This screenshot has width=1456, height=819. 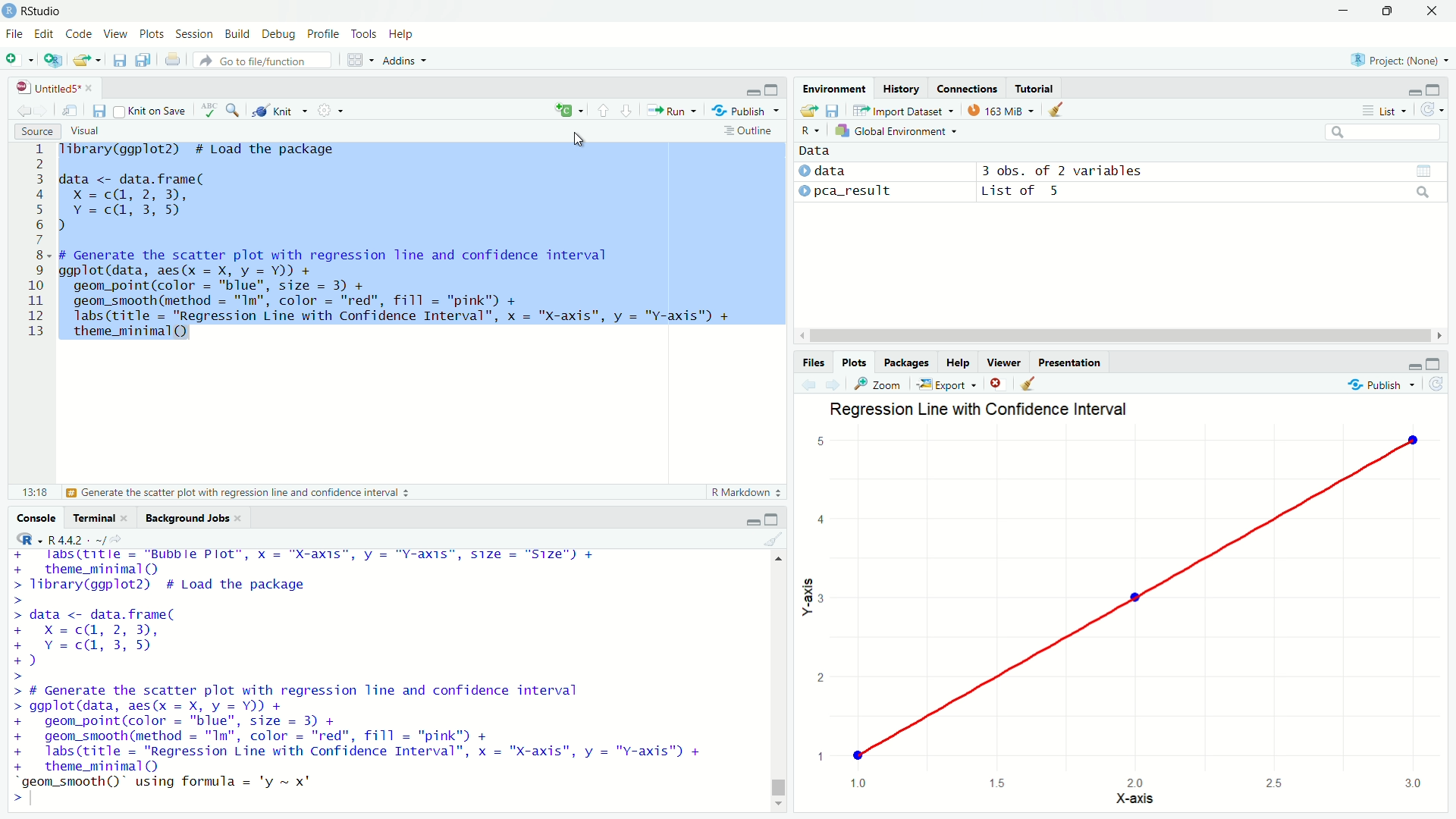 What do you see at coordinates (48, 87) in the screenshot?
I see `Untitled5*` at bounding box center [48, 87].